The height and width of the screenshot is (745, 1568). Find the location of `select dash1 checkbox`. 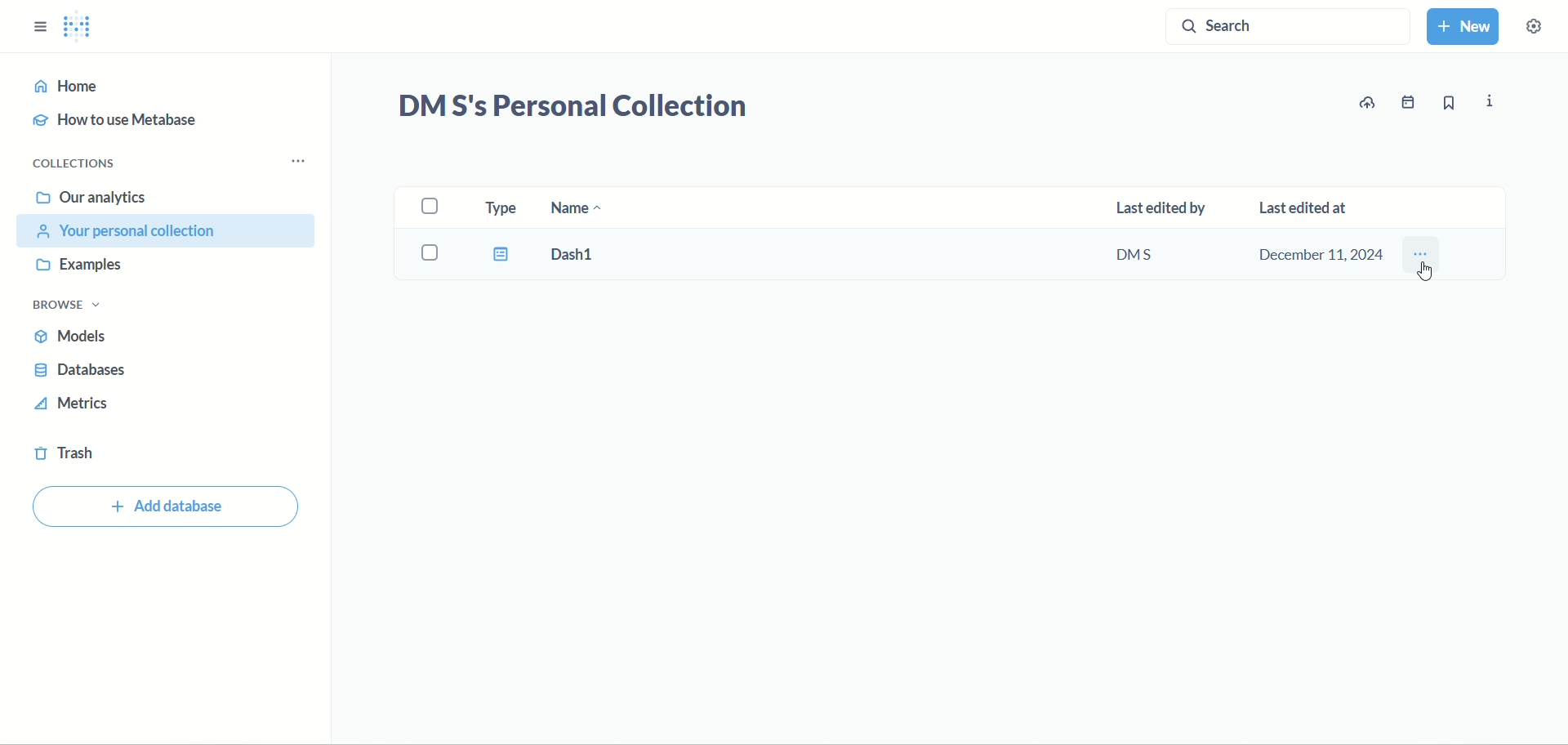

select dash1 checkbox is located at coordinates (433, 253).